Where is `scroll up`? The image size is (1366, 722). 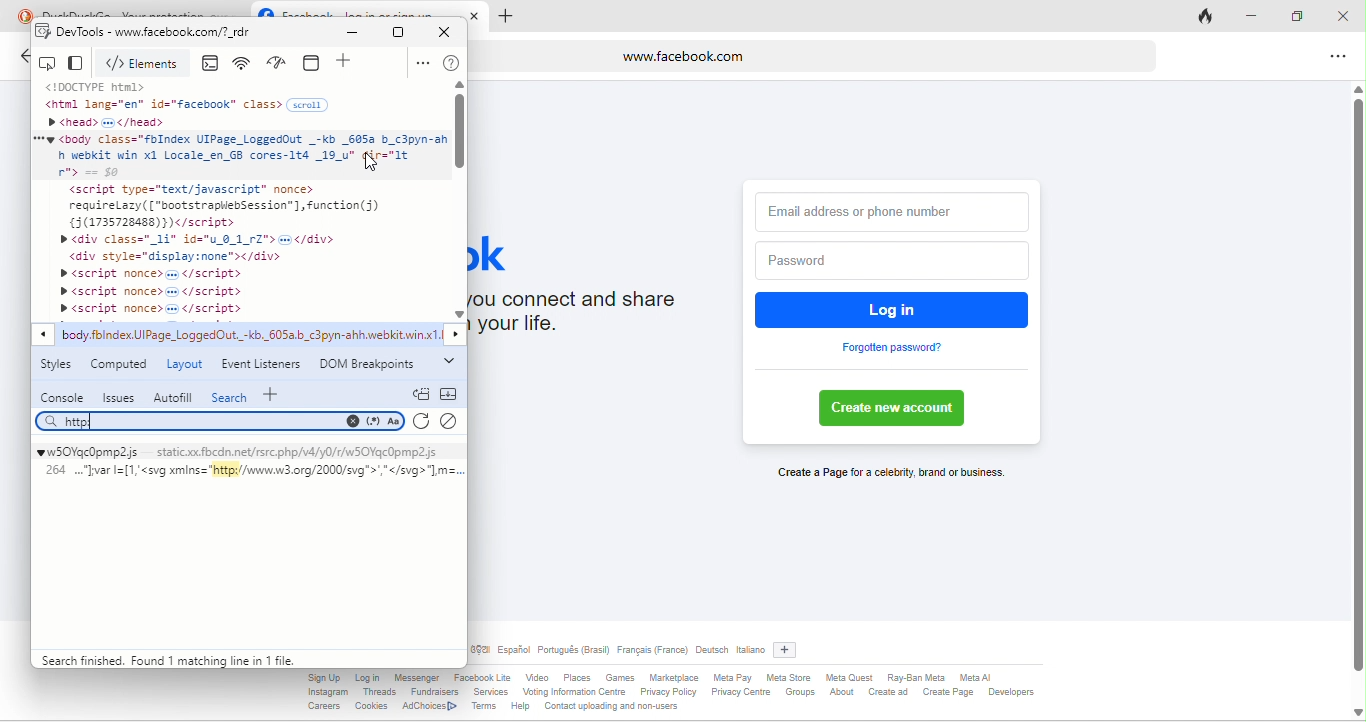
scroll up is located at coordinates (459, 86).